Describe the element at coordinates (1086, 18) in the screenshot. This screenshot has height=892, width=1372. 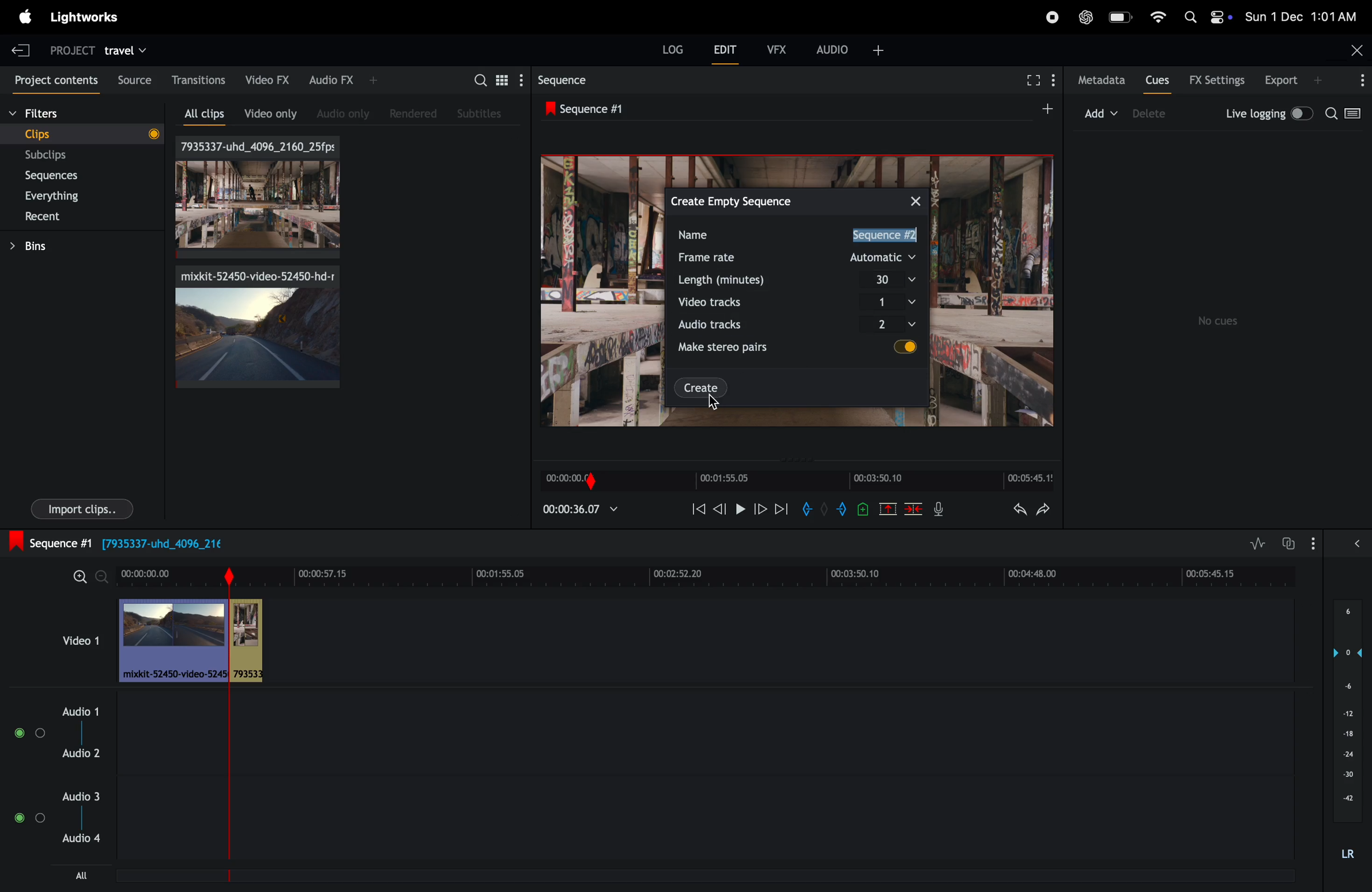
I see `chatgpt` at that location.